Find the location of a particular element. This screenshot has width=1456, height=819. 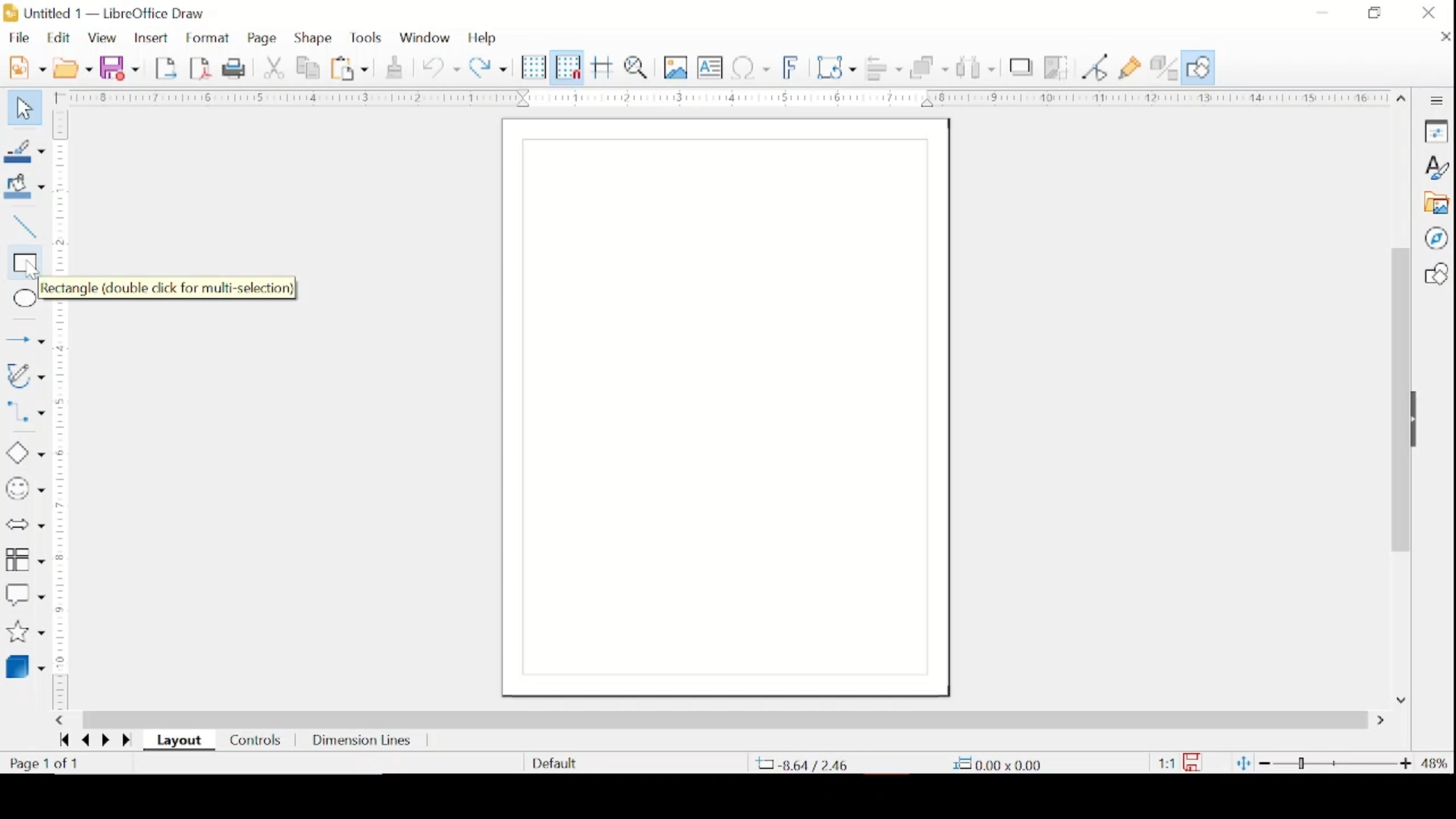

next is located at coordinates (104, 739).